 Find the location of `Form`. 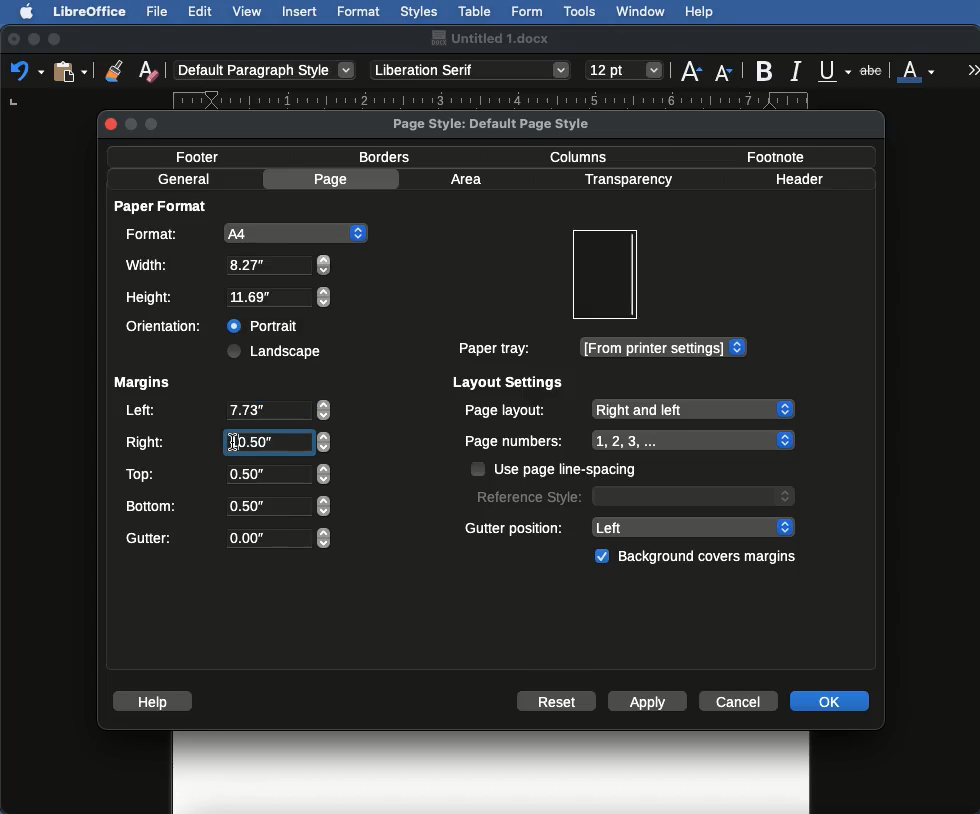

Form is located at coordinates (527, 12).